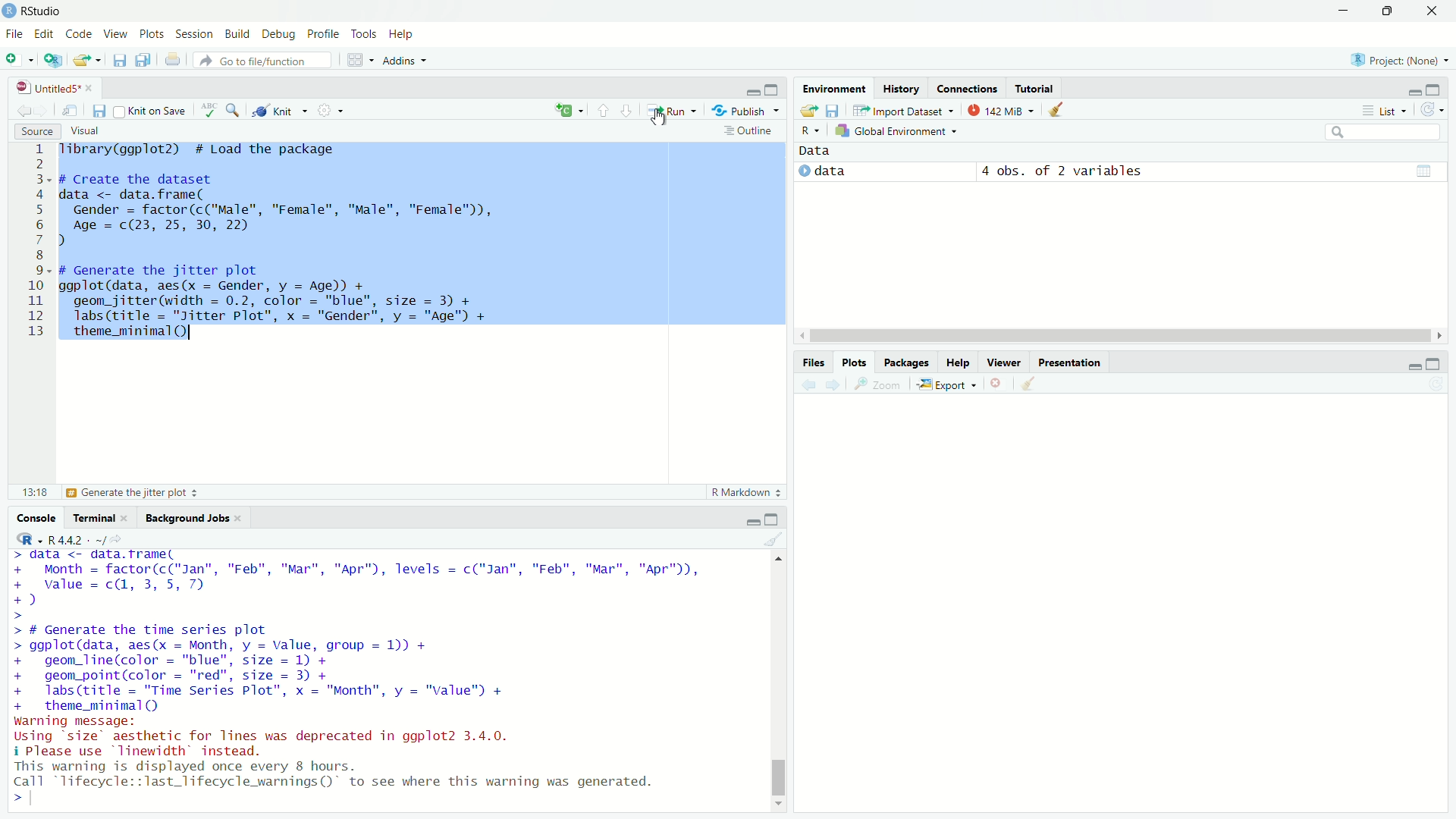 The image size is (1456, 819). Describe the element at coordinates (1412, 88) in the screenshot. I see `minimize` at that location.